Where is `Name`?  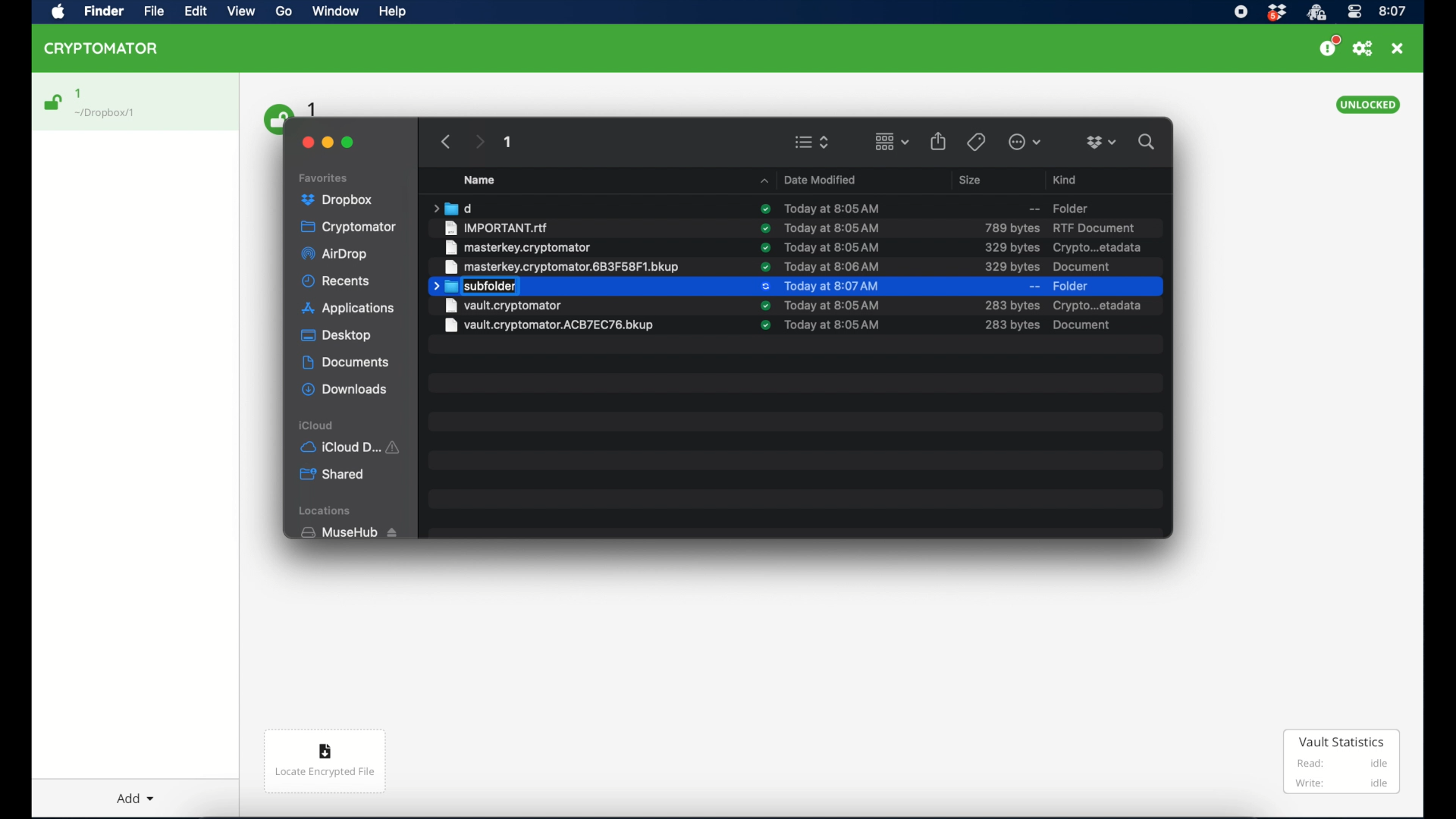
Name is located at coordinates (488, 180).